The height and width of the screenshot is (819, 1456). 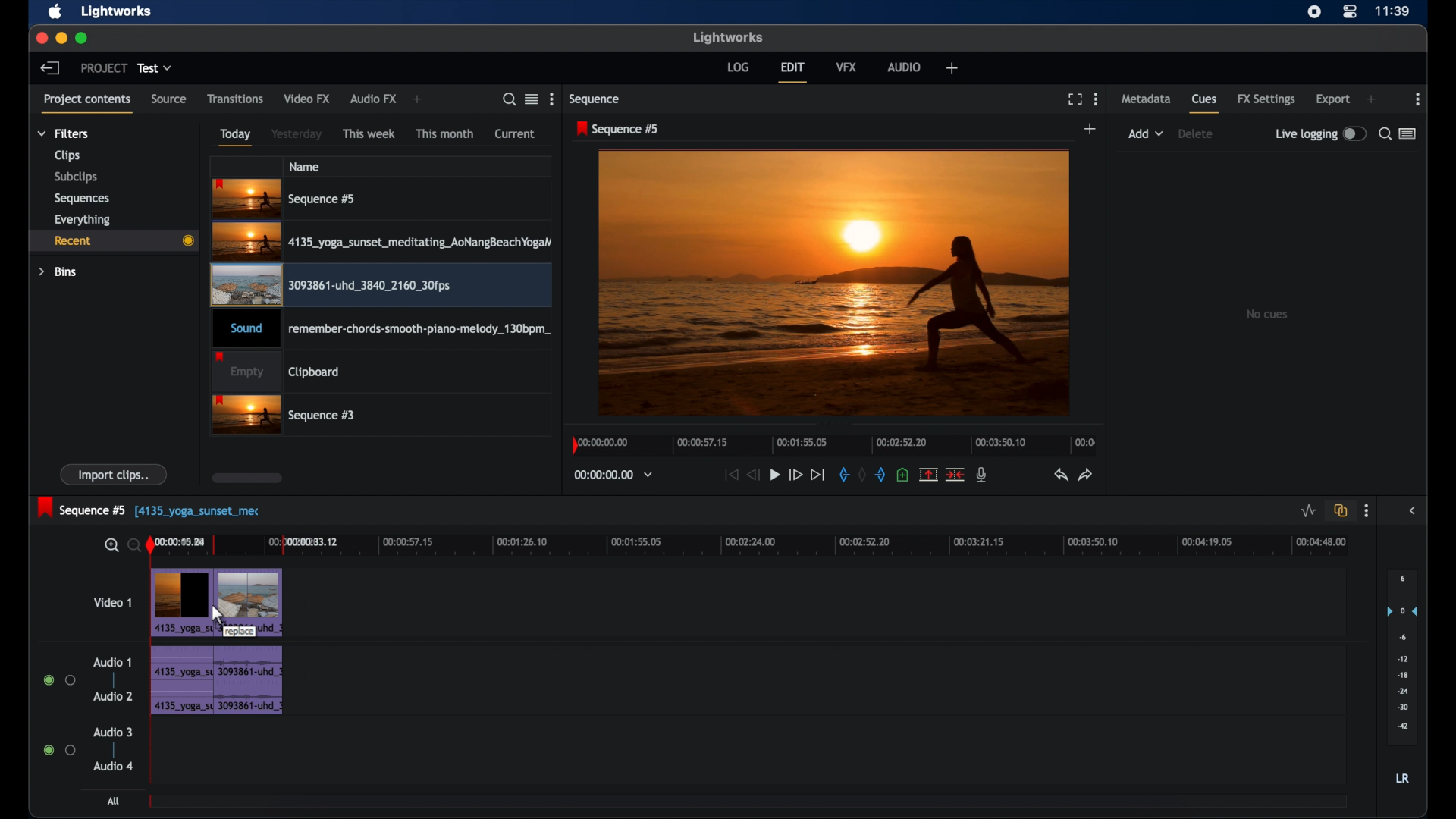 I want to click on name, so click(x=306, y=166).